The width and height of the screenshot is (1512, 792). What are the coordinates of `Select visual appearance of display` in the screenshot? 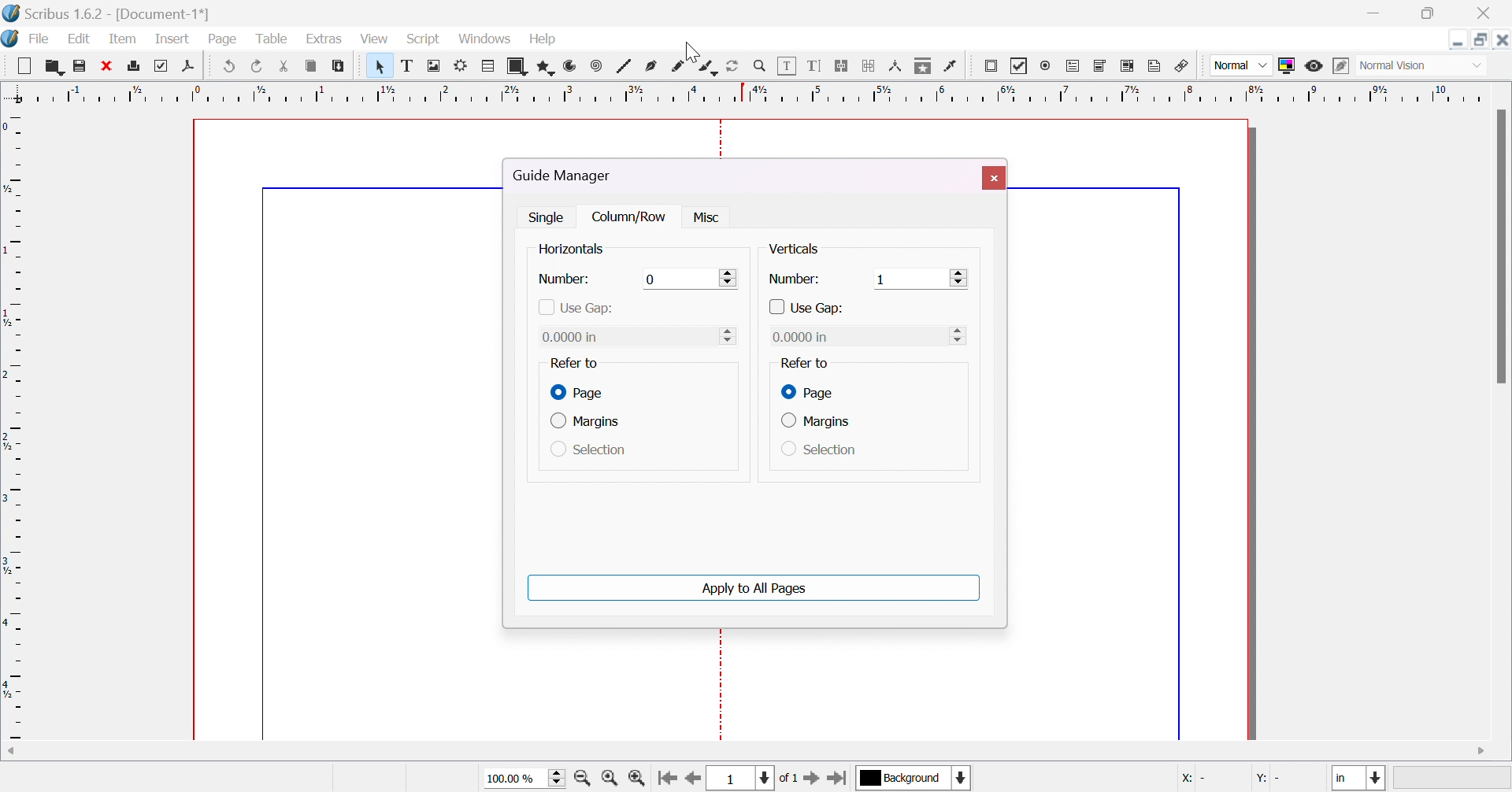 It's located at (1422, 67).